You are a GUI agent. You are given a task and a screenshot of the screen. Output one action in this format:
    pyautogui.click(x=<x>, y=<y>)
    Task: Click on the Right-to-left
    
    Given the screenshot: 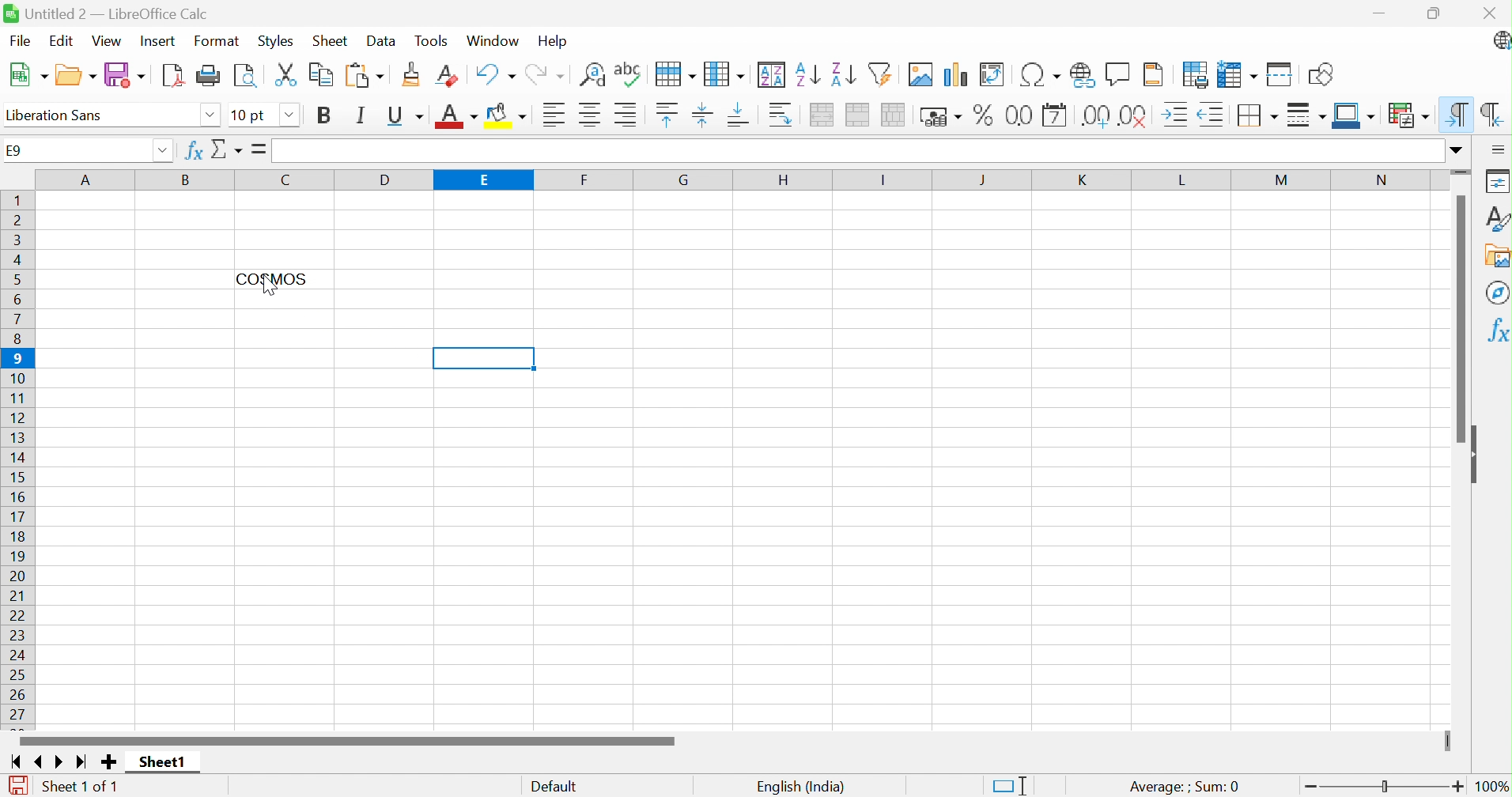 What is the action you would take?
    pyautogui.click(x=1494, y=114)
    